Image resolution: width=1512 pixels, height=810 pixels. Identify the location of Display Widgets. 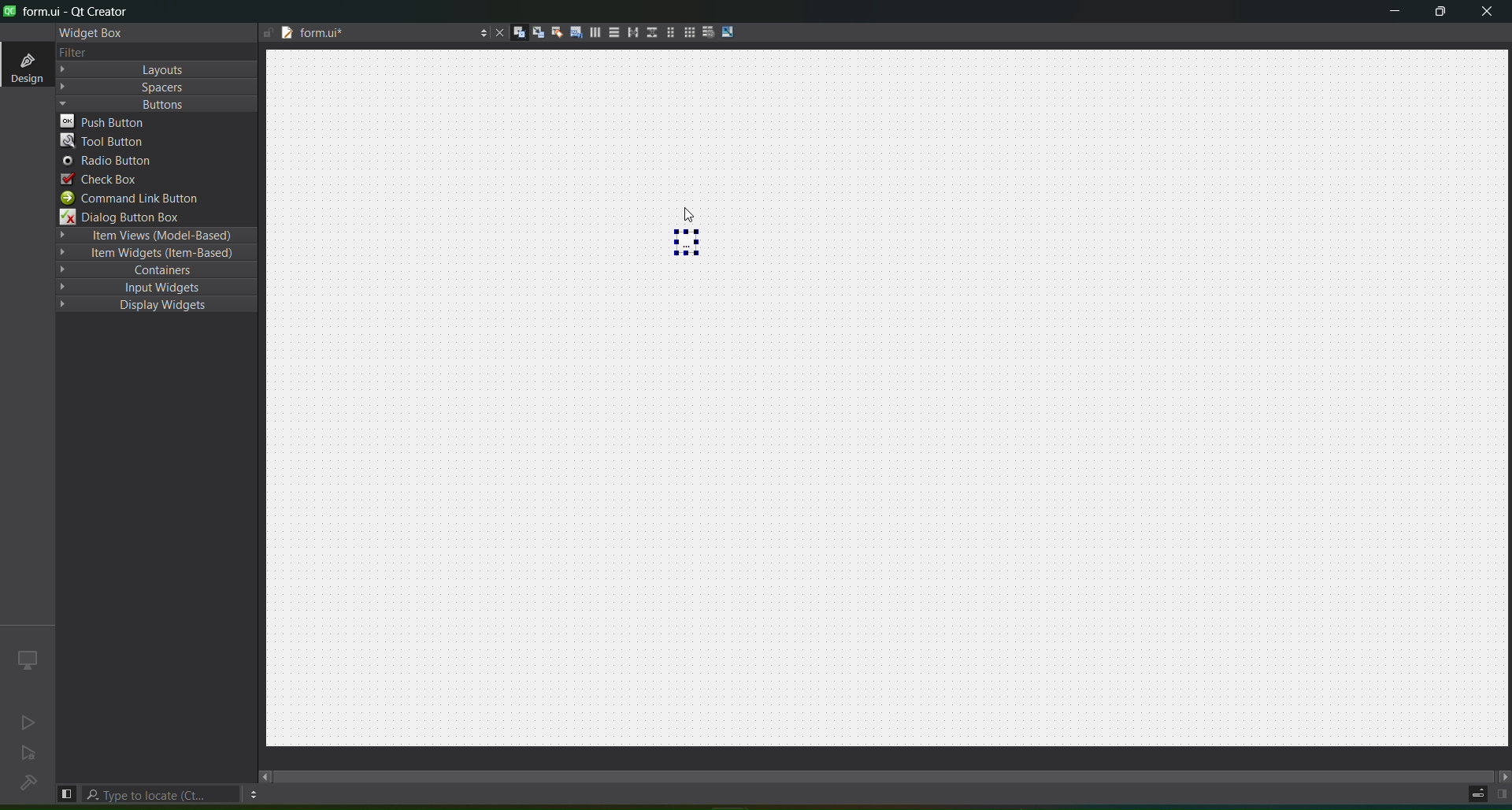
(161, 310).